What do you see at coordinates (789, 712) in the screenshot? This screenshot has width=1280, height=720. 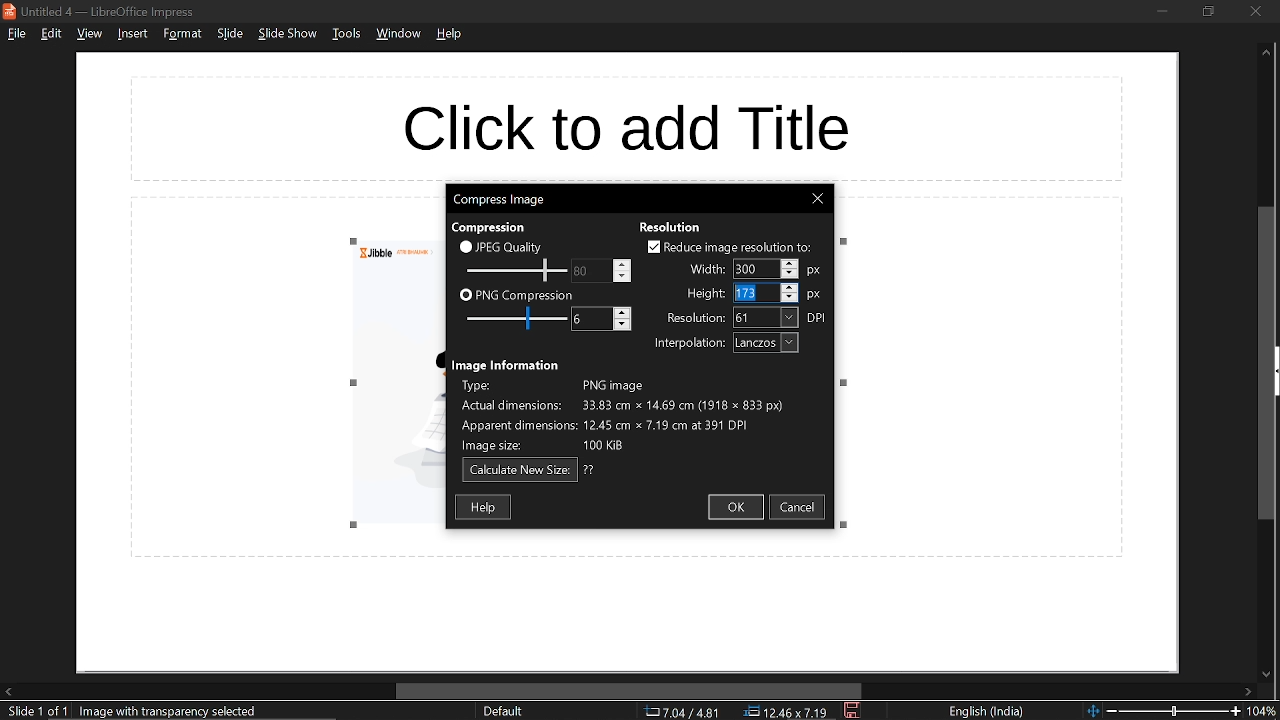 I see `location` at bounding box center [789, 712].